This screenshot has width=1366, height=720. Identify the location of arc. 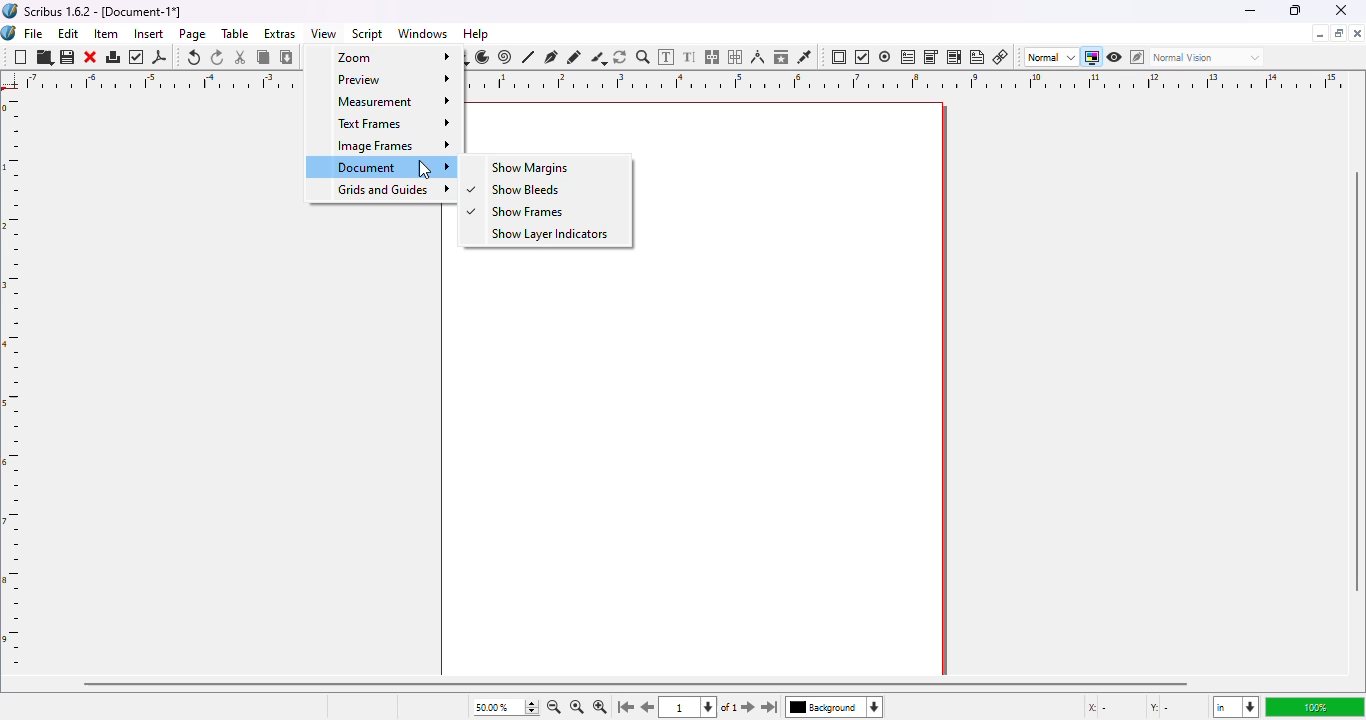
(482, 57).